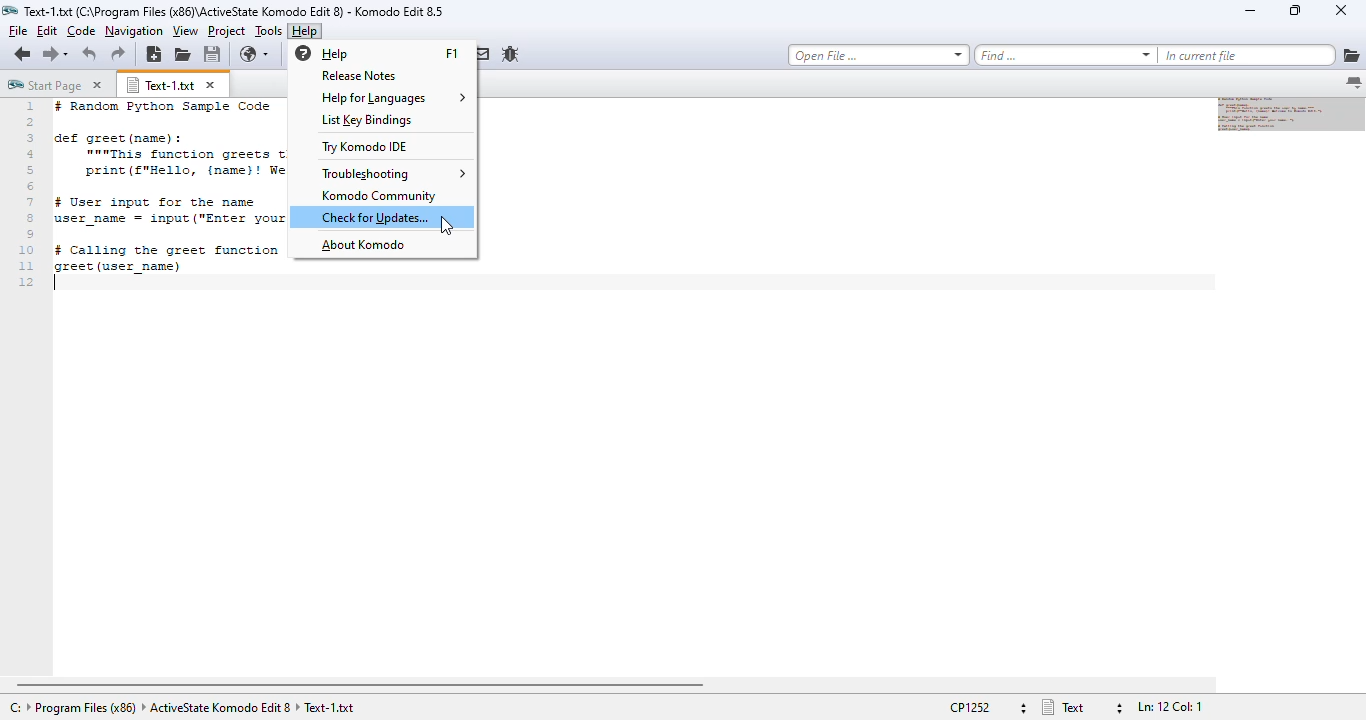 This screenshot has height=720, width=1366. Describe the element at coordinates (168, 186) in the screenshot. I see `text` at that location.